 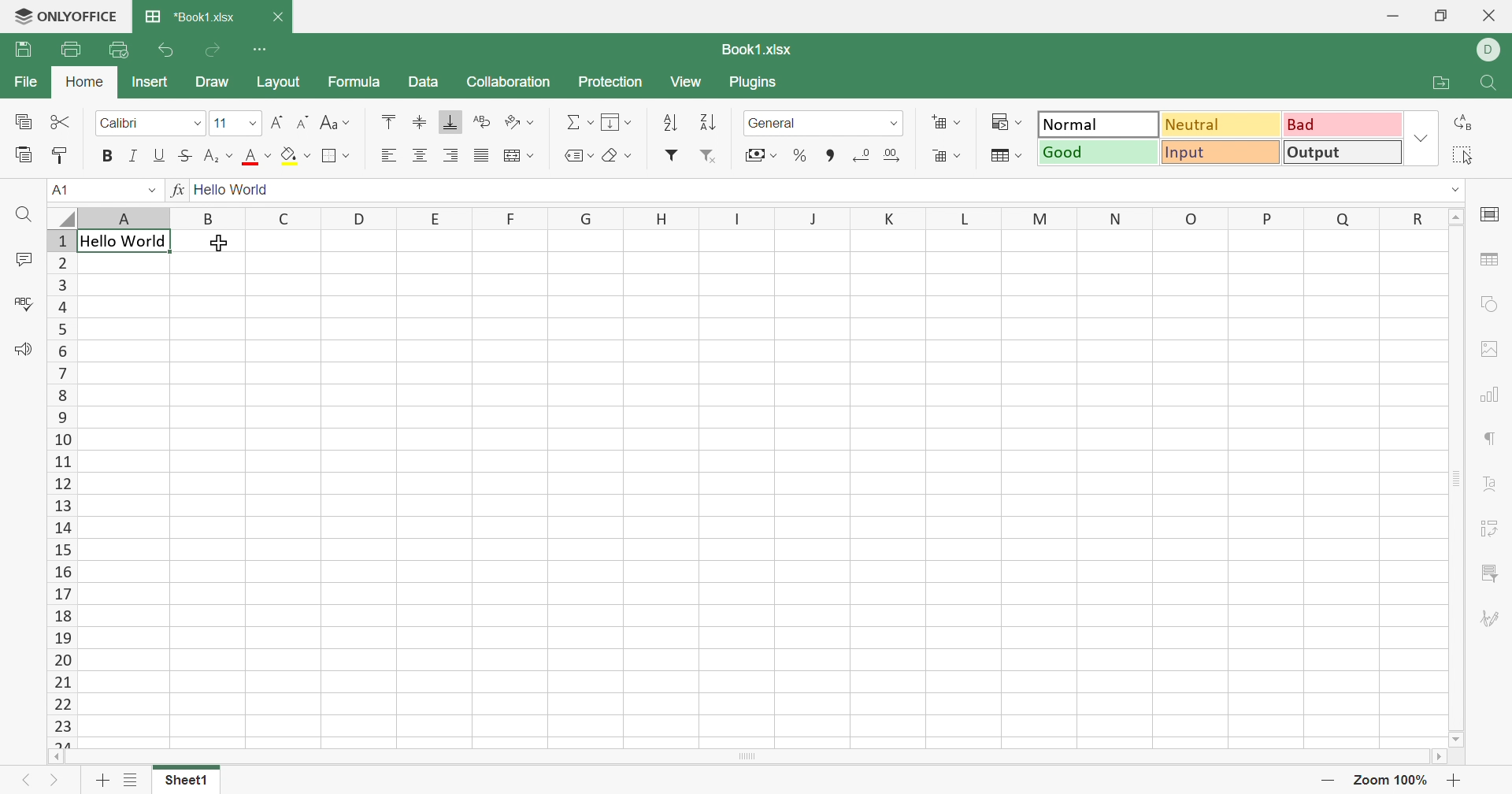 I want to click on Align center, so click(x=421, y=156).